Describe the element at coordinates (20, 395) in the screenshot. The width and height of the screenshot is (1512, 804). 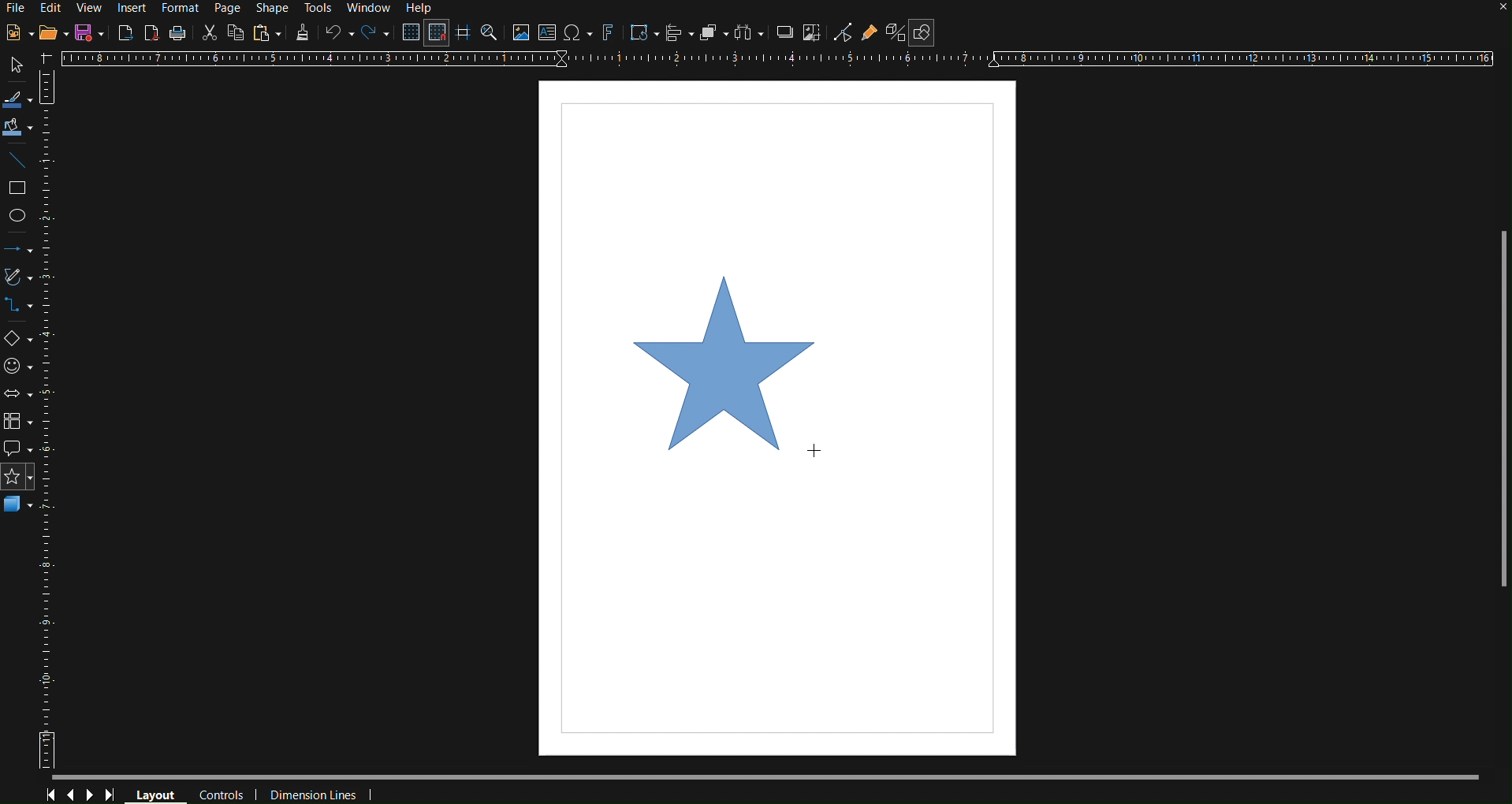
I see `Box Arrows` at that location.